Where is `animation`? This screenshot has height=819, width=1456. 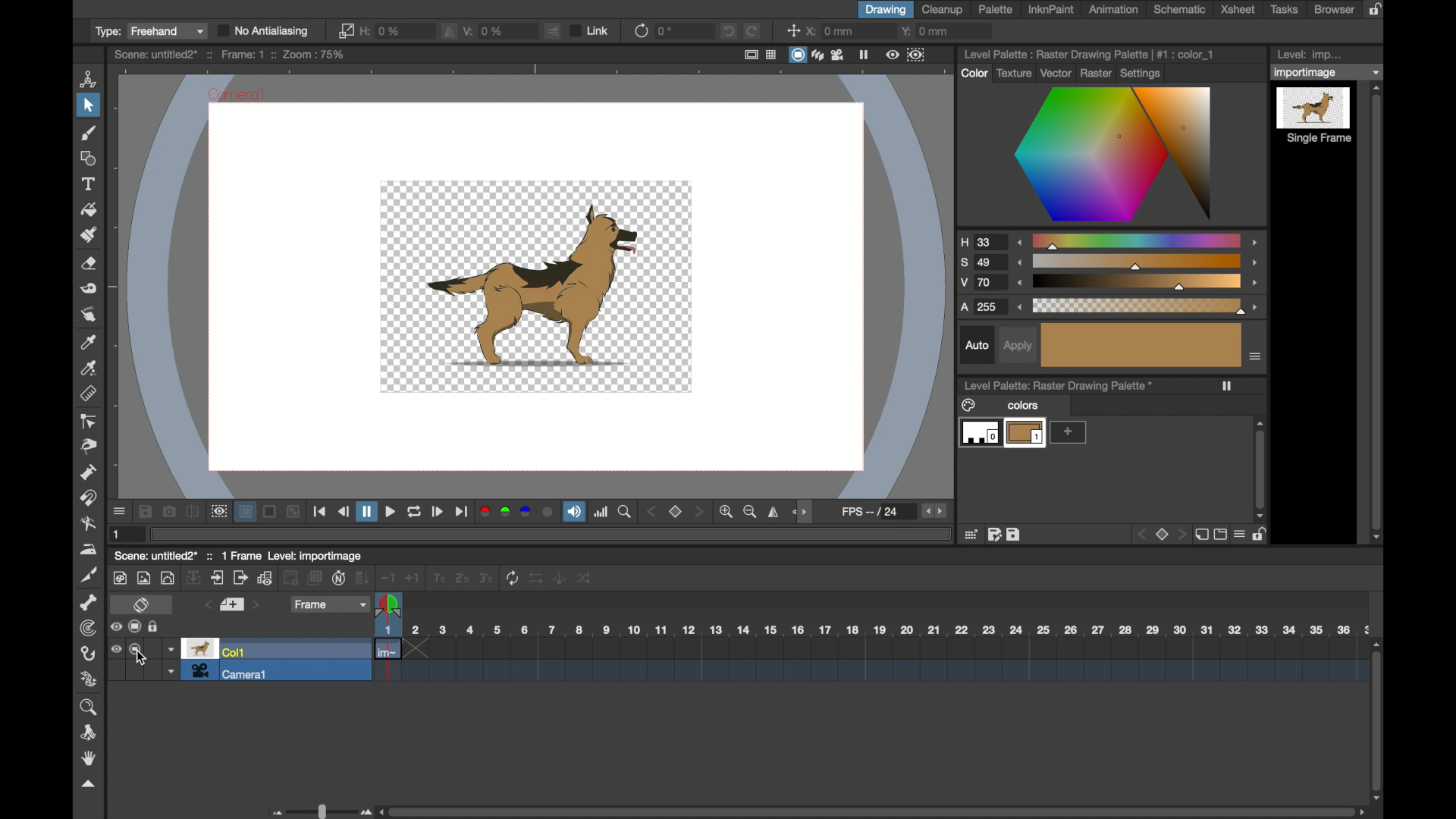 animation is located at coordinates (1115, 10).